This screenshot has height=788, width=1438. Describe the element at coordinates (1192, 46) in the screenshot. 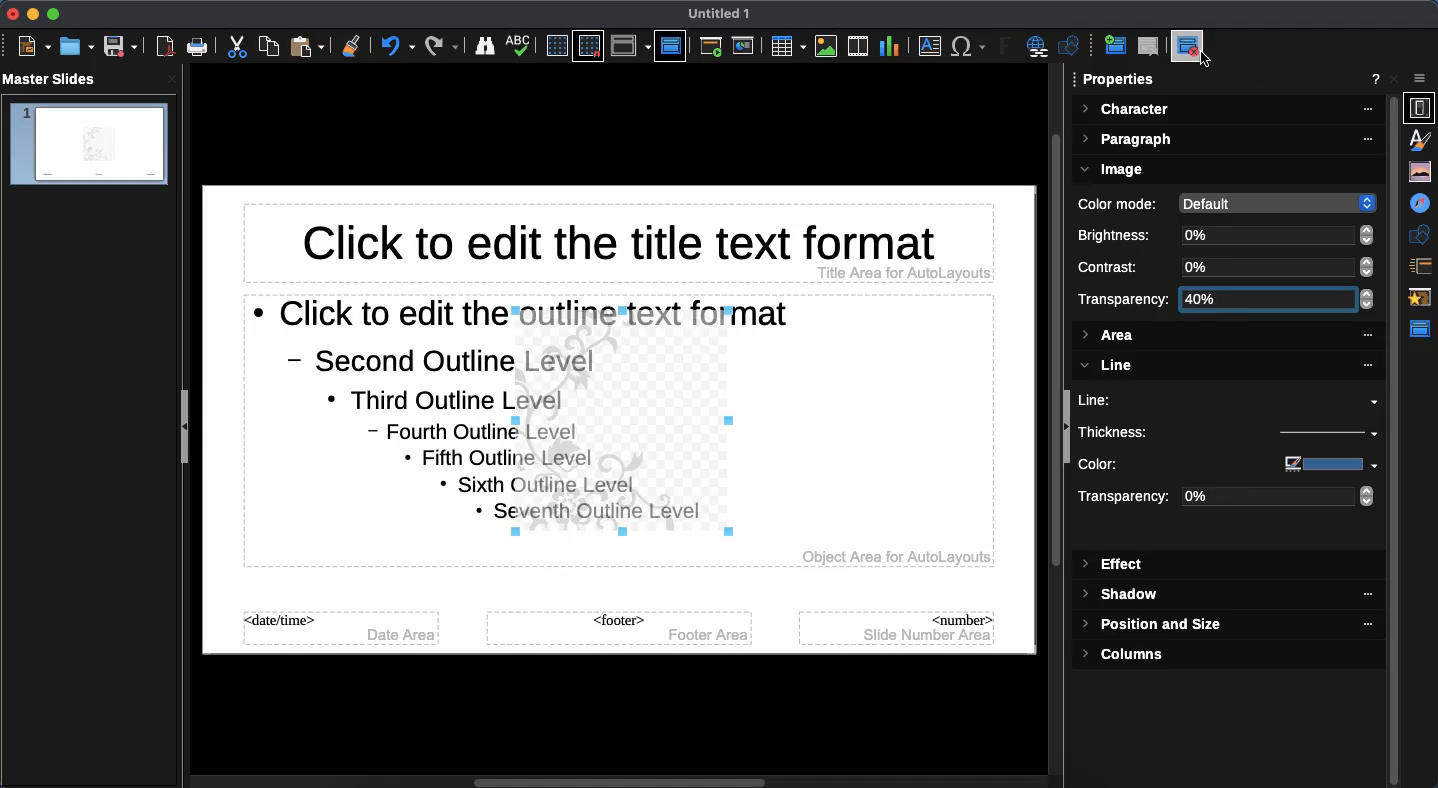

I see `Master view close` at that location.